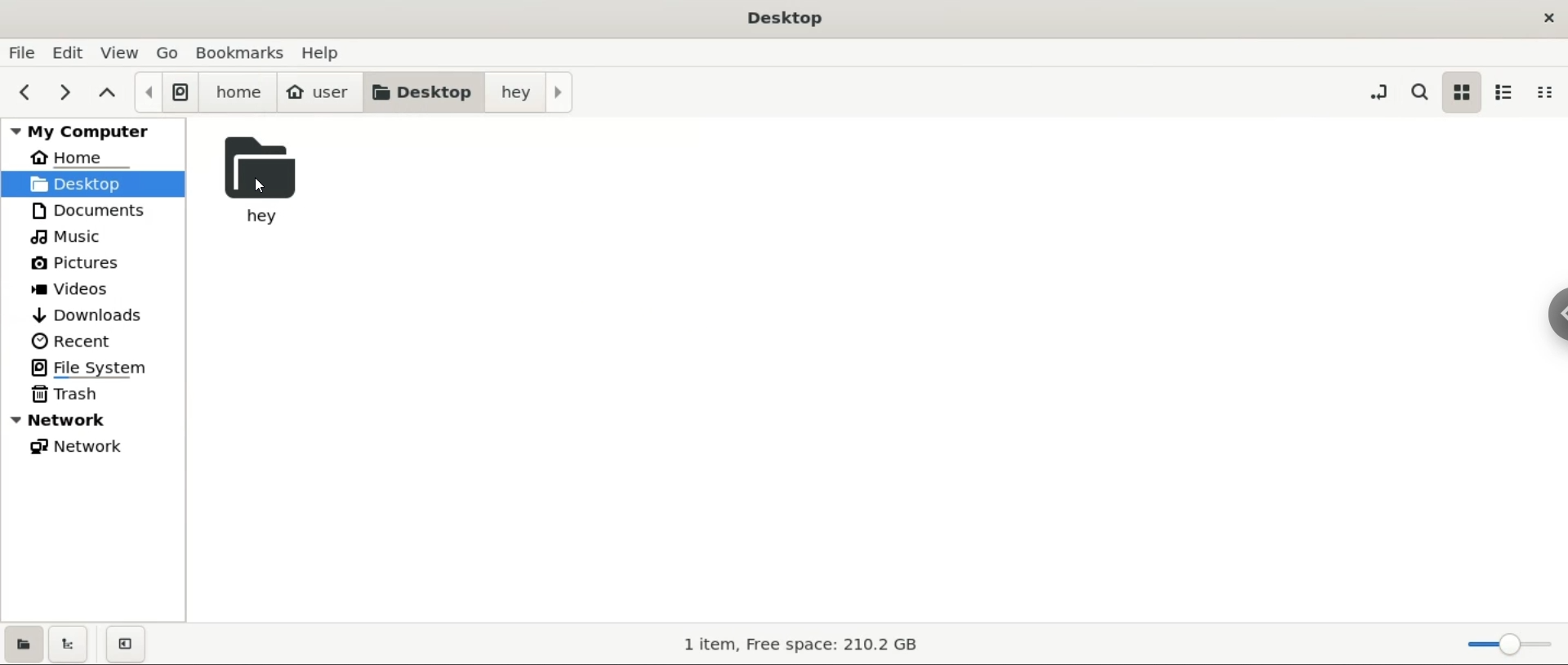 The width and height of the screenshot is (1568, 665). I want to click on hey, so click(536, 91).